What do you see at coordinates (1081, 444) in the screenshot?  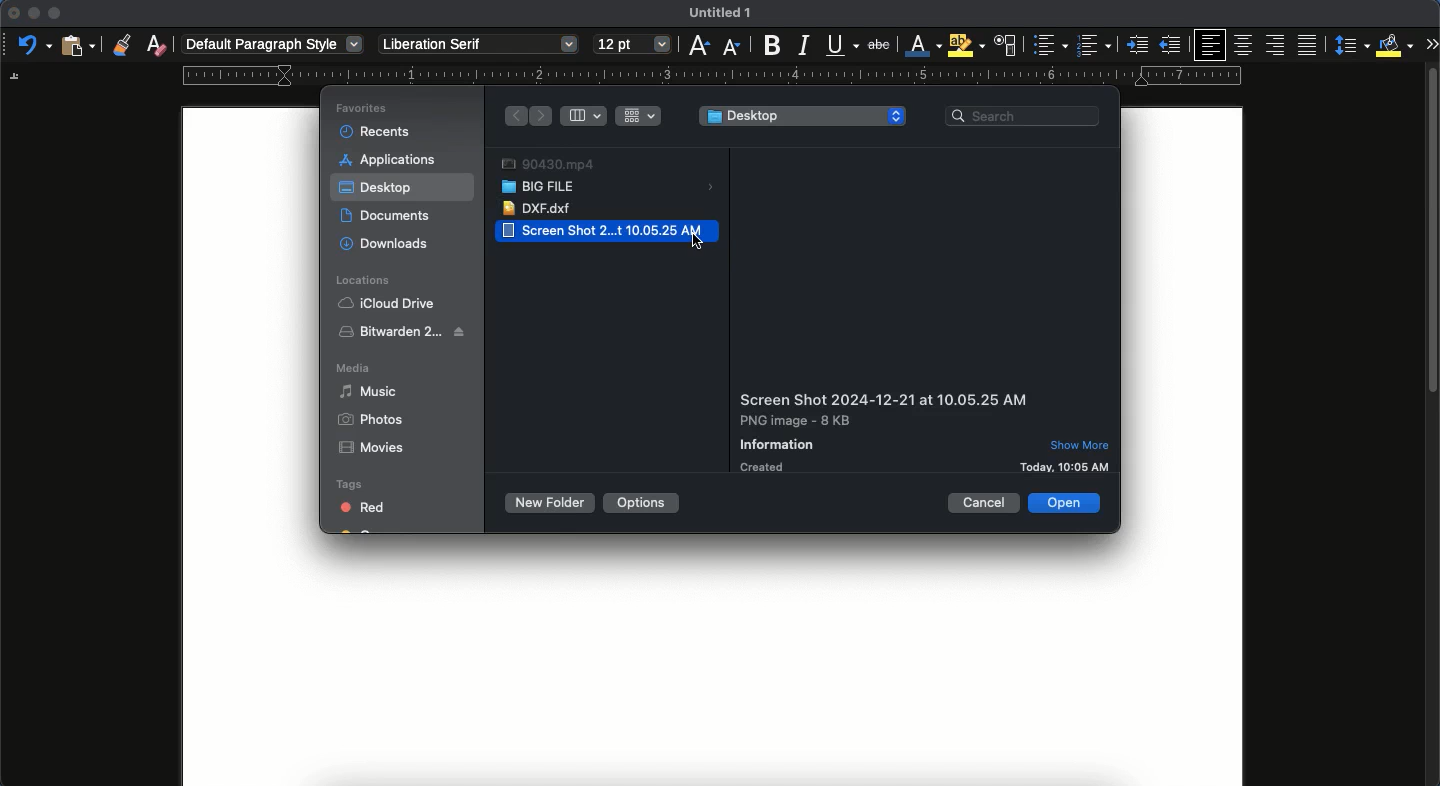 I see `show more` at bounding box center [1081, 444].